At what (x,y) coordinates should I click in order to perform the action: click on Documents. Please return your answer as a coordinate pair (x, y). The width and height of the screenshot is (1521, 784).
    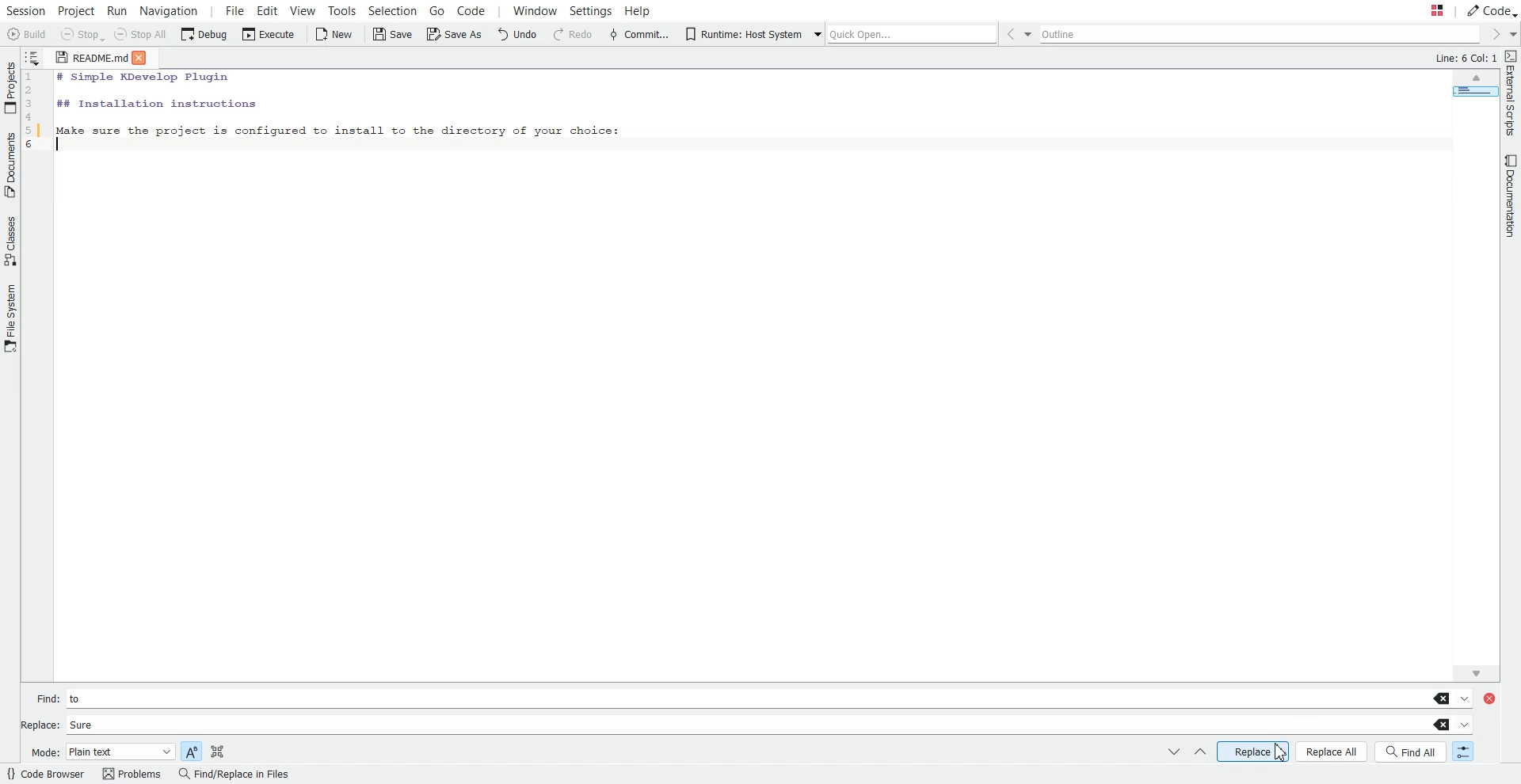
    Looking at the image, I should click on (10, 165).